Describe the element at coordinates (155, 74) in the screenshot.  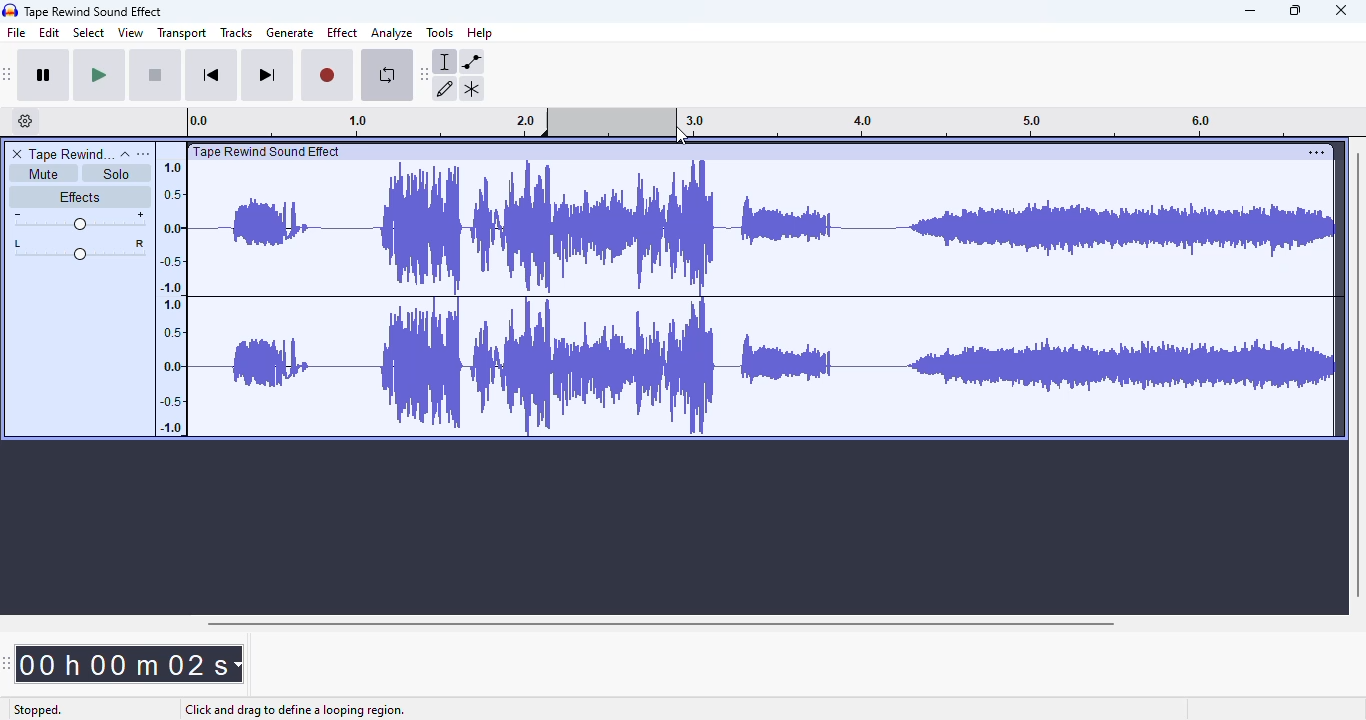
I see `stop` at that location.